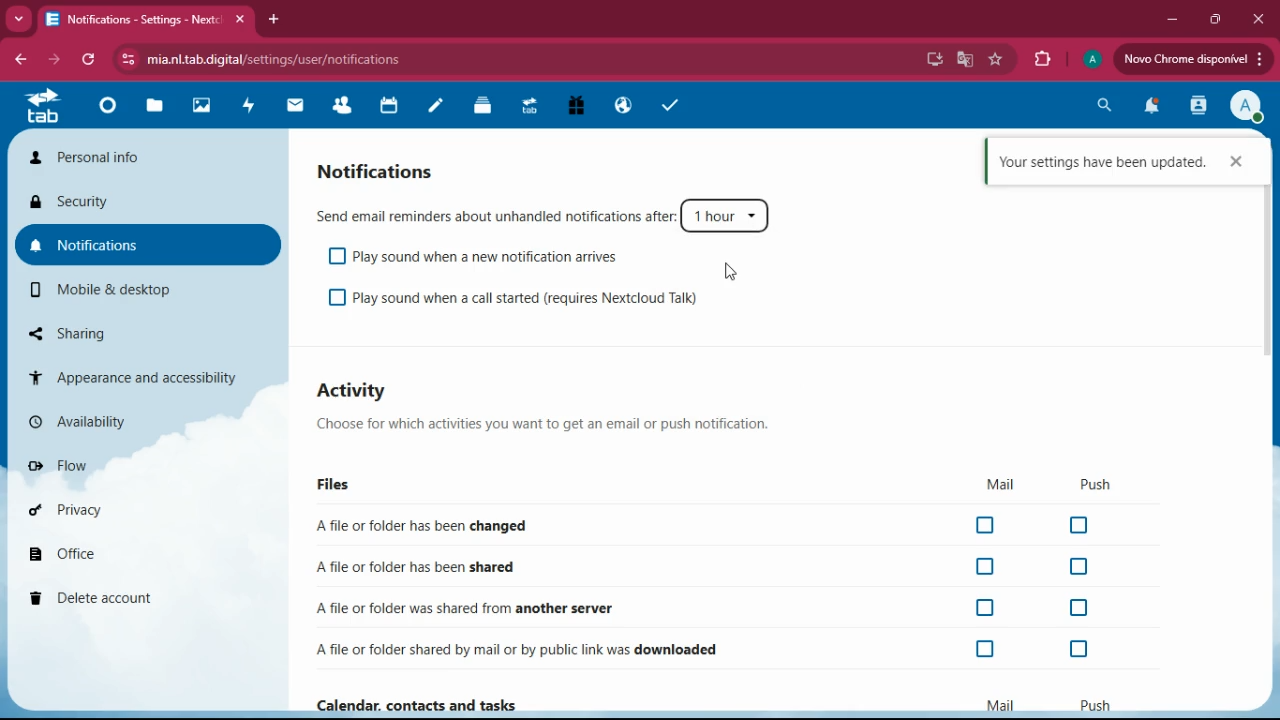 This screenshot has height=720, width=1280. I want to click on off, so click(984, 567).